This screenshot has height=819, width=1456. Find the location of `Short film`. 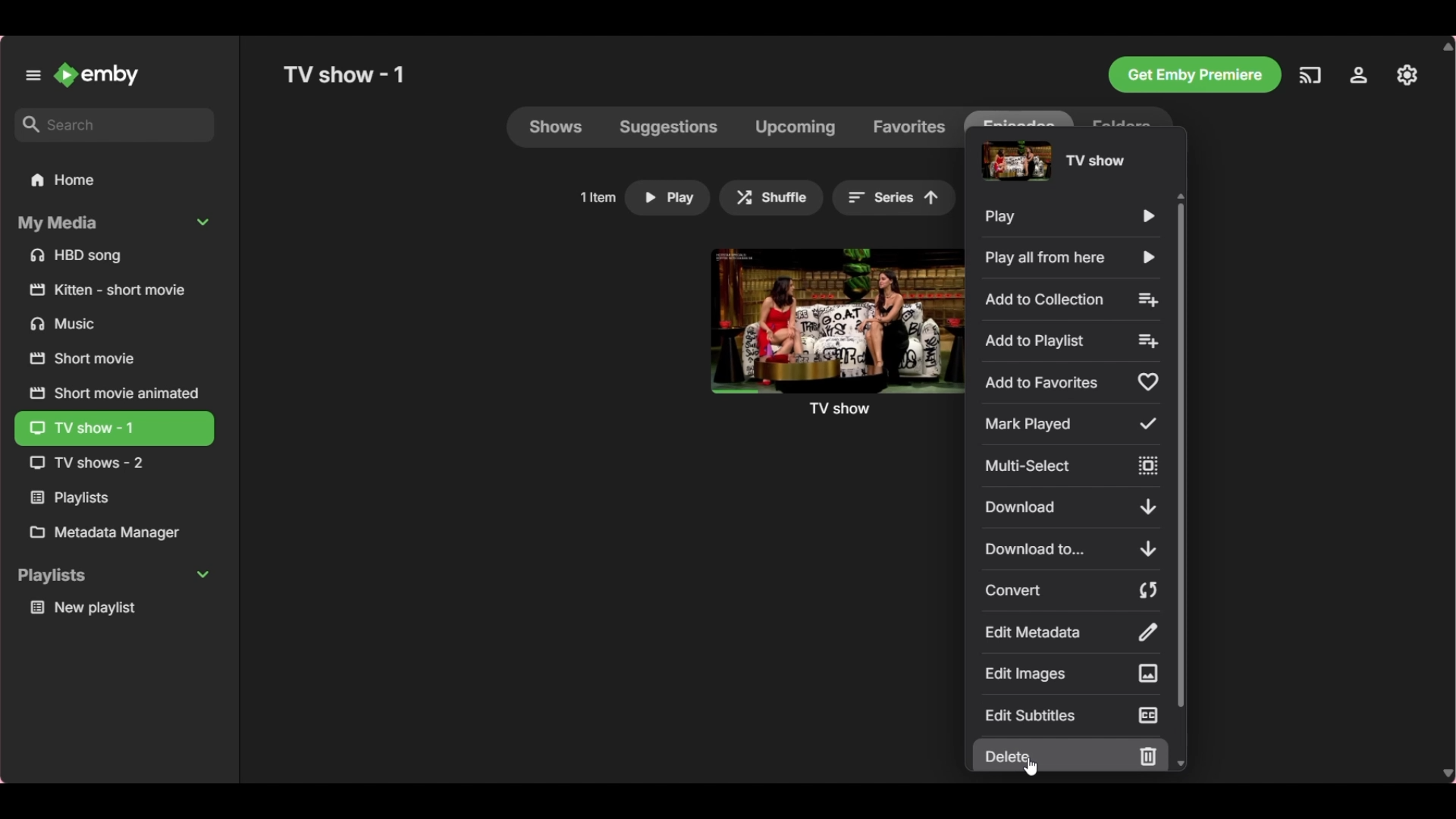

Short film is located at coordinates (113, 359).